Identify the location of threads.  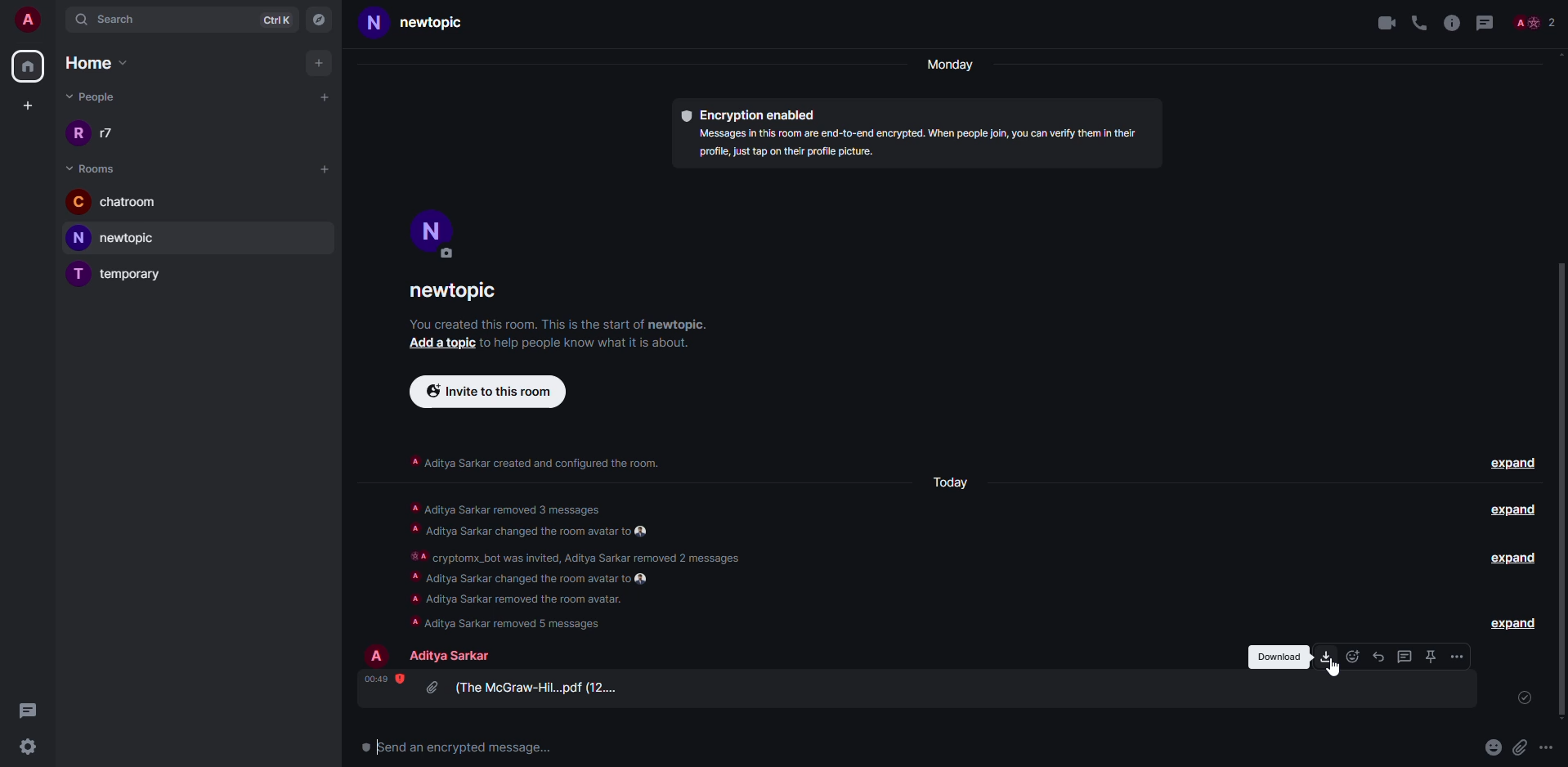
(1405, 656).